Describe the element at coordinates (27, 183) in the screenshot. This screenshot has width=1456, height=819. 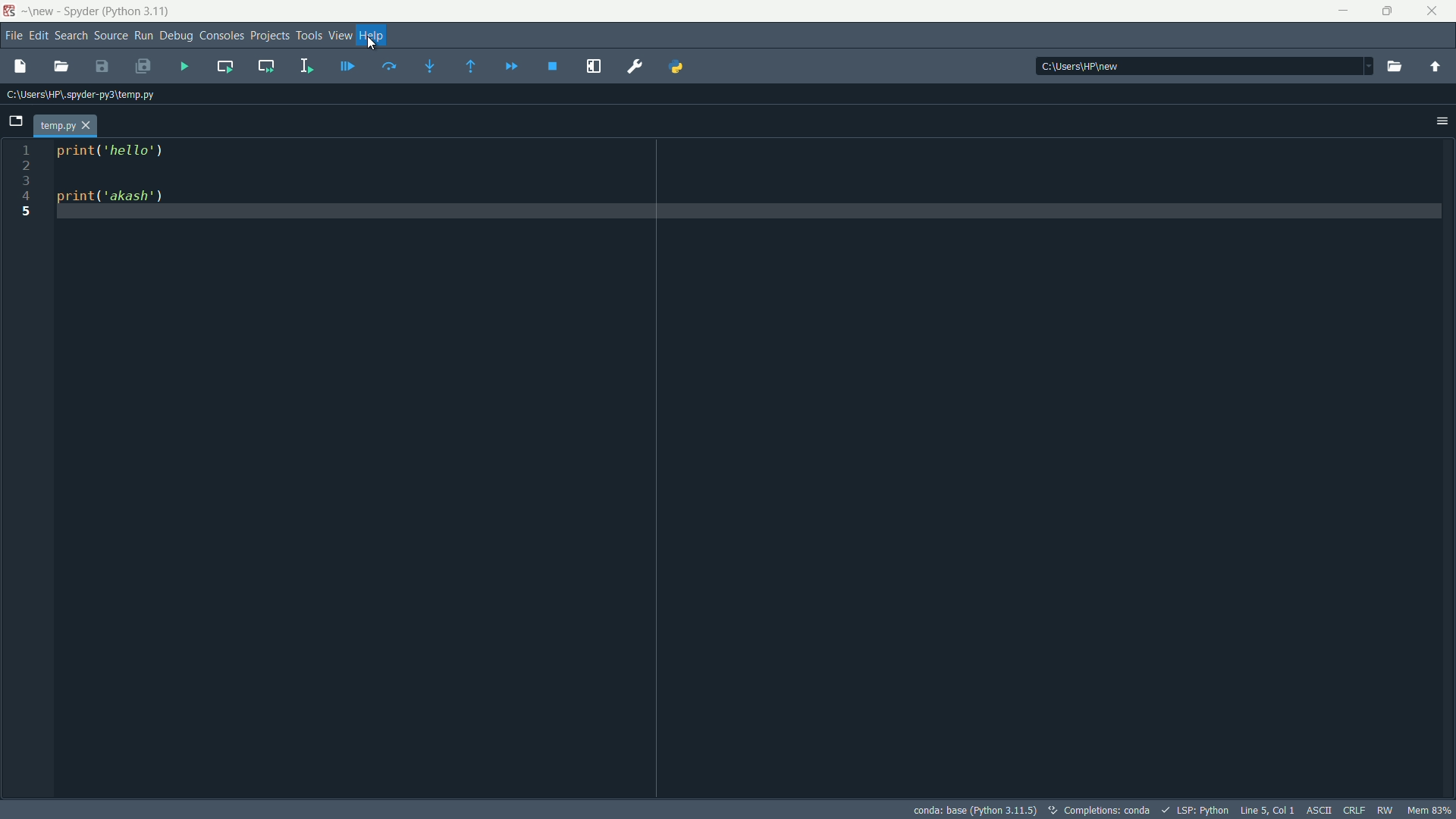
I see `1 2 3 4 5` at that location.